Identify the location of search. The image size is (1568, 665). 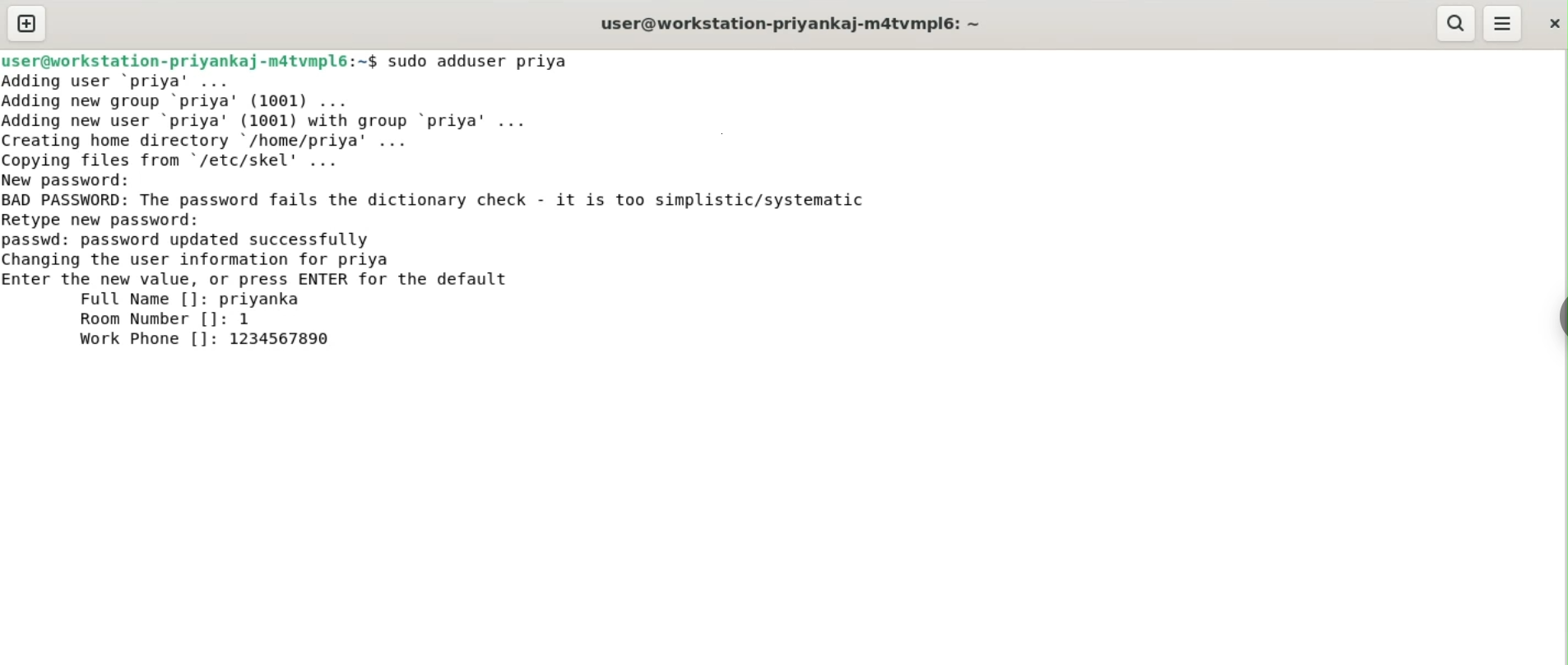
(1457, 24).